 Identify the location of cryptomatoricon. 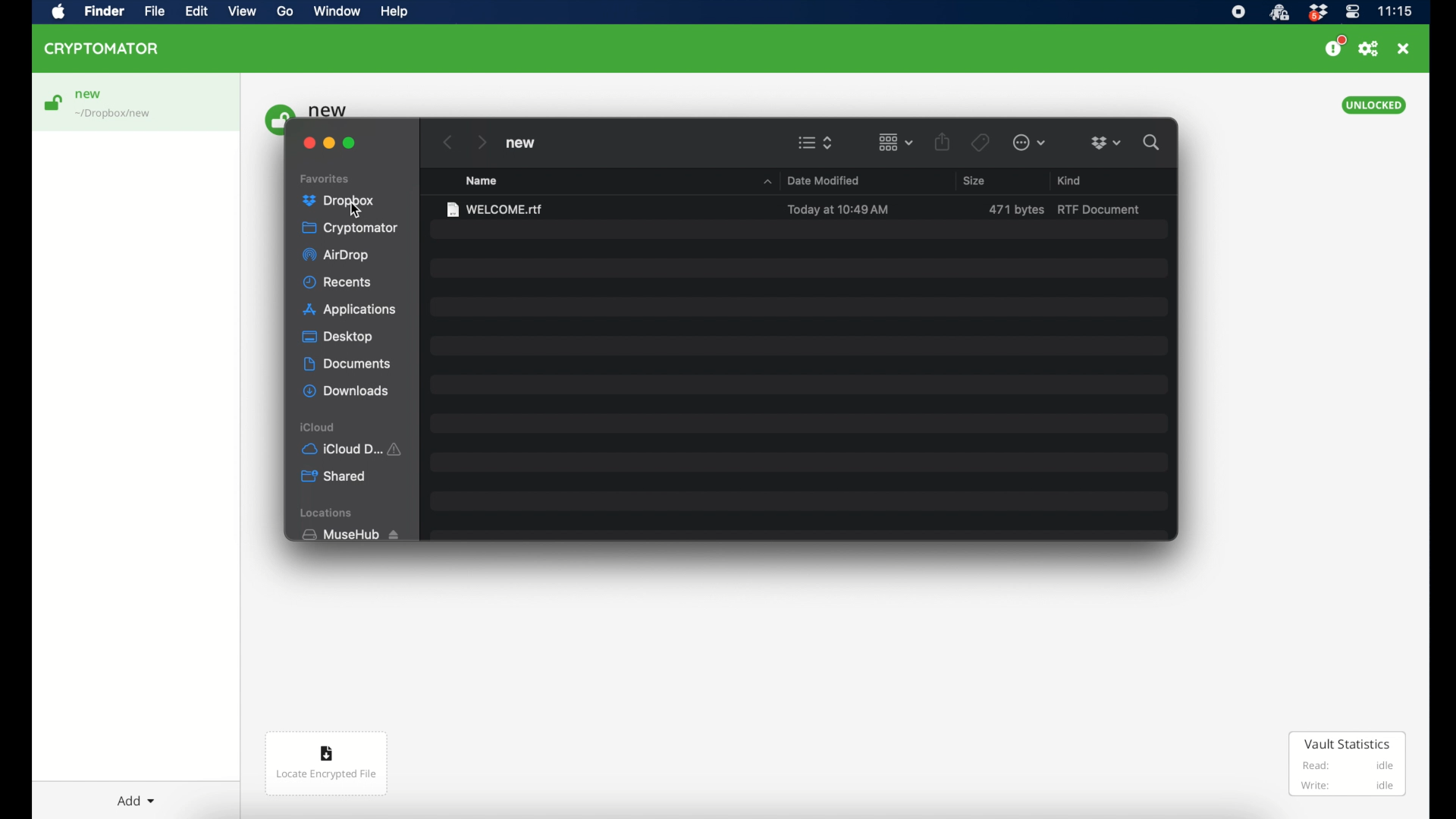
(1279, 13).